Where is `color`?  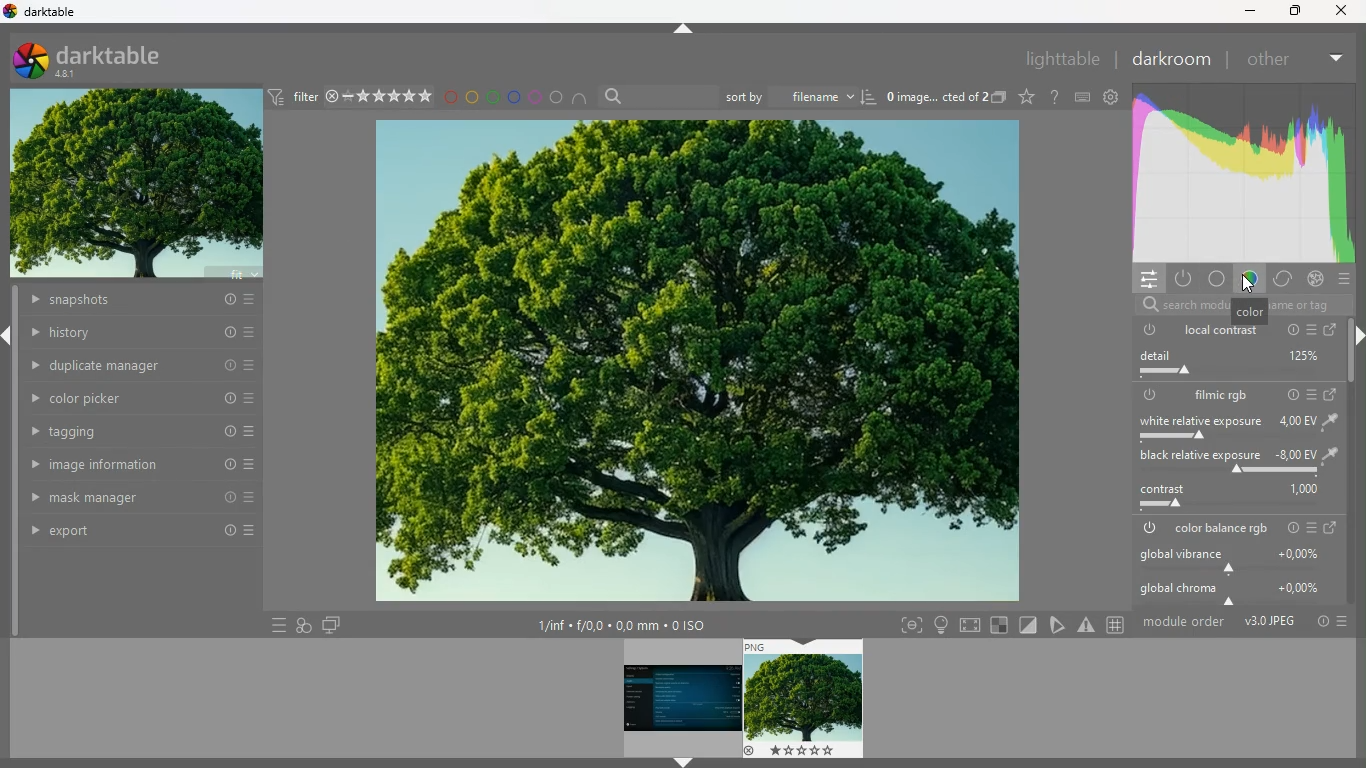 color is located at coordinates (1247, 281).